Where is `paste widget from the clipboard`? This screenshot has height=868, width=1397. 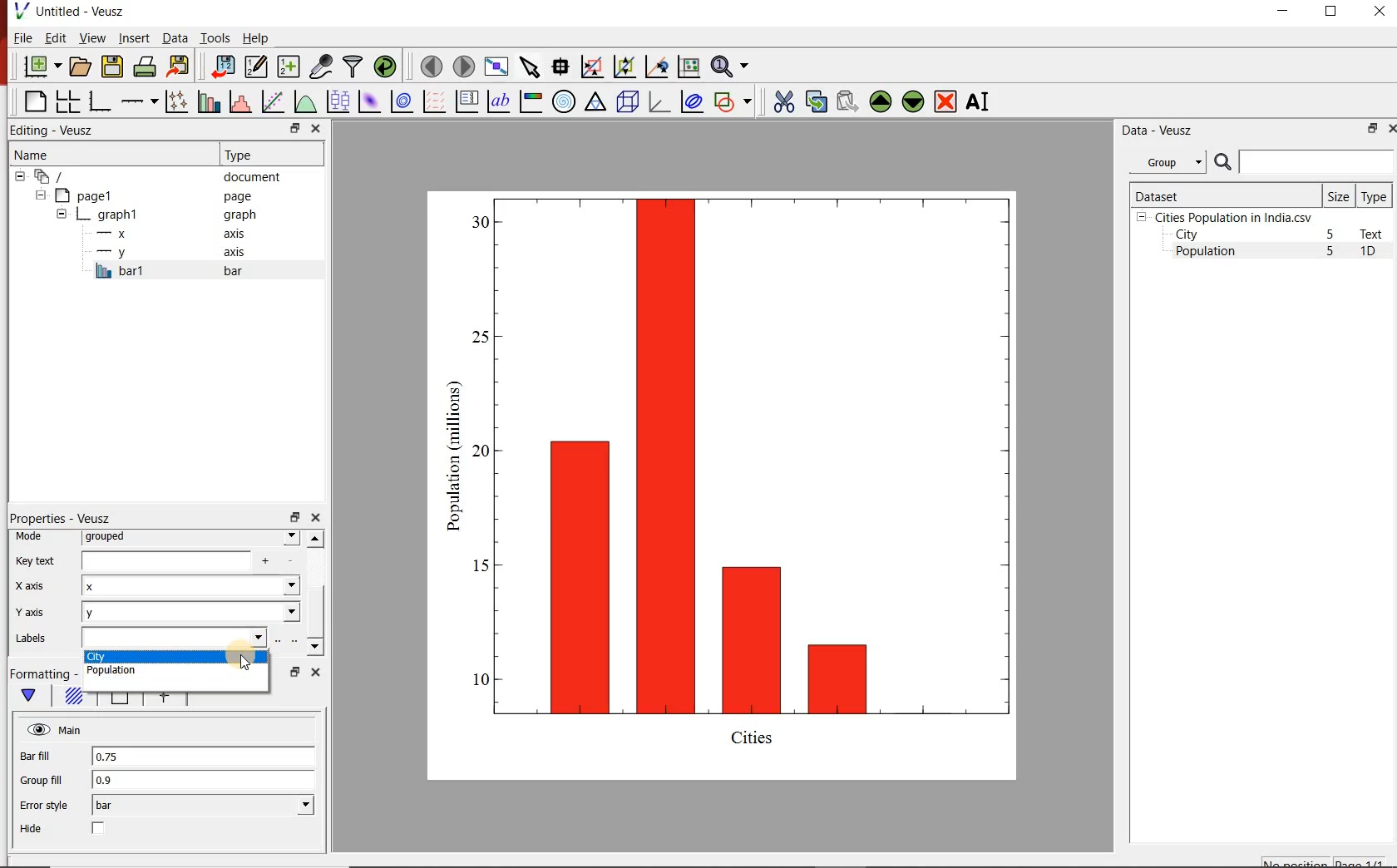
paste widget from the clipboard is located at coordinates (847, 101).